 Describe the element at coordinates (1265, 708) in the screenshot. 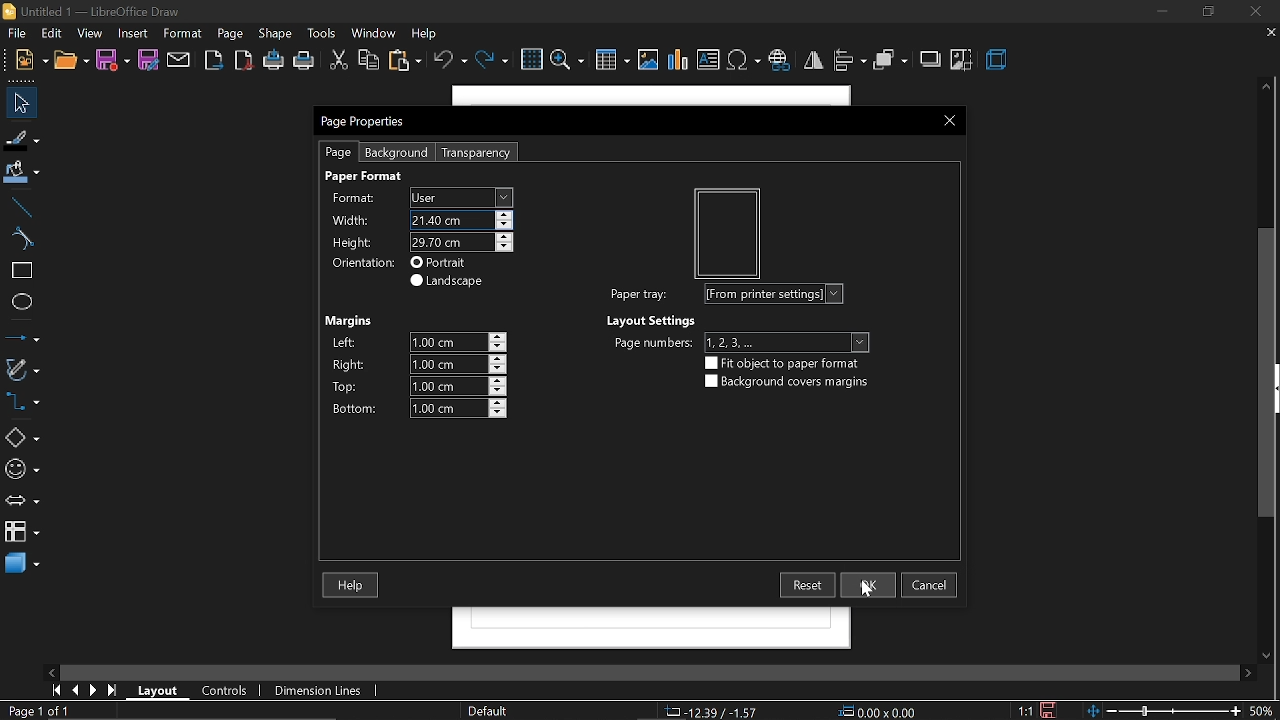

I see `60% - current zoom` at that location.